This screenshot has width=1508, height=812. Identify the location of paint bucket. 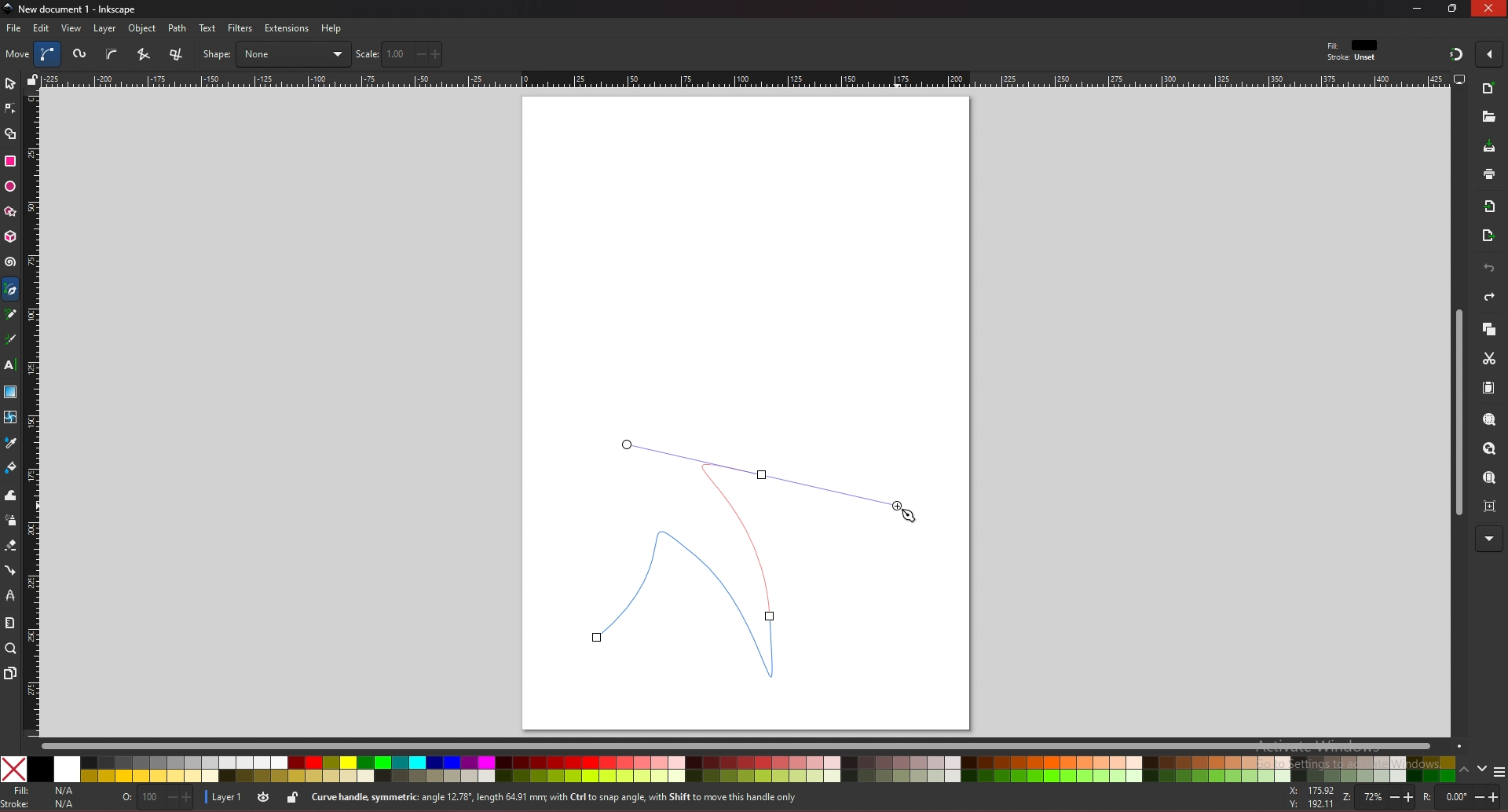
(11, 466).